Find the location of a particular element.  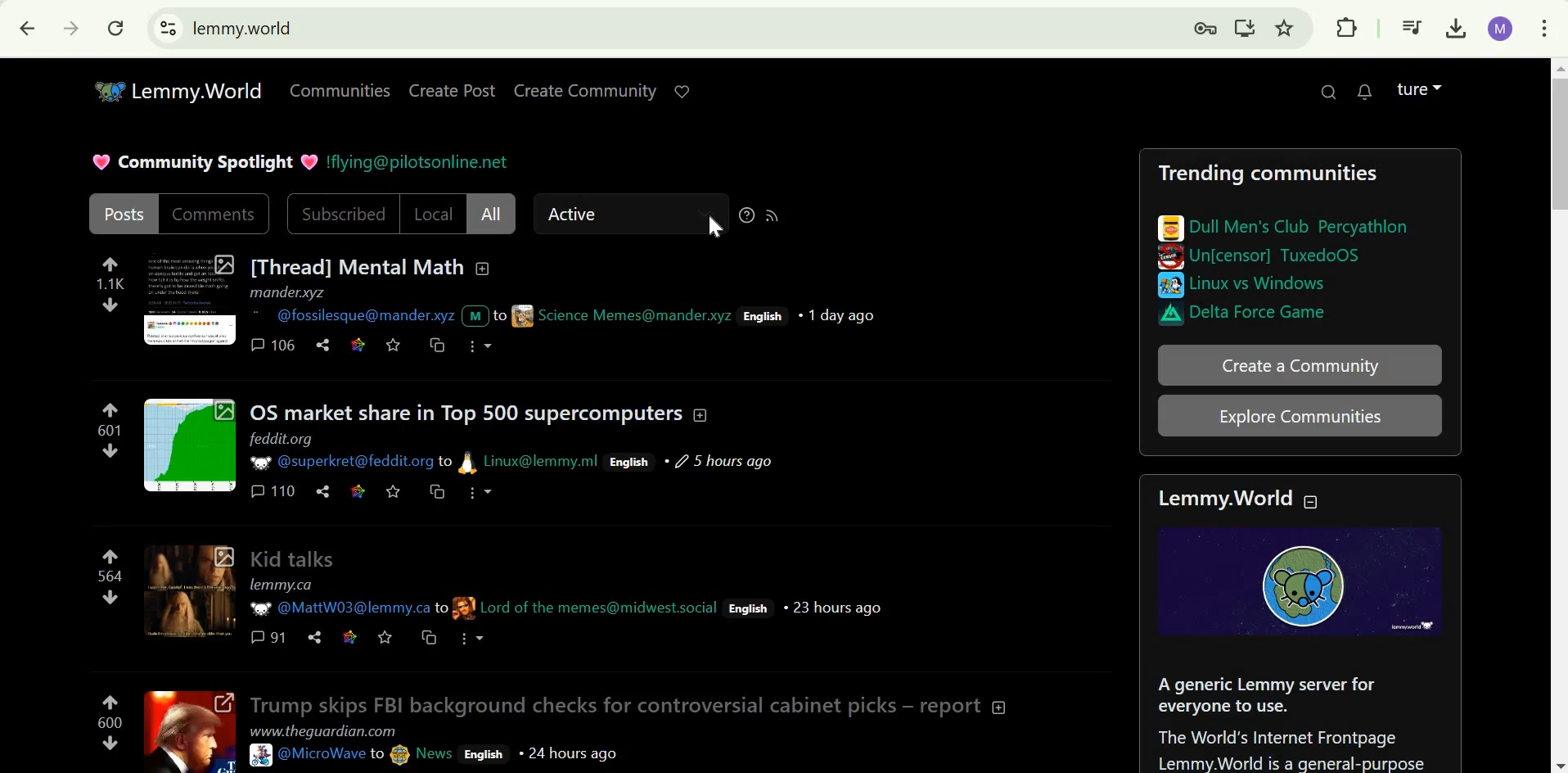

601 points is located at coordinates (110, 430).